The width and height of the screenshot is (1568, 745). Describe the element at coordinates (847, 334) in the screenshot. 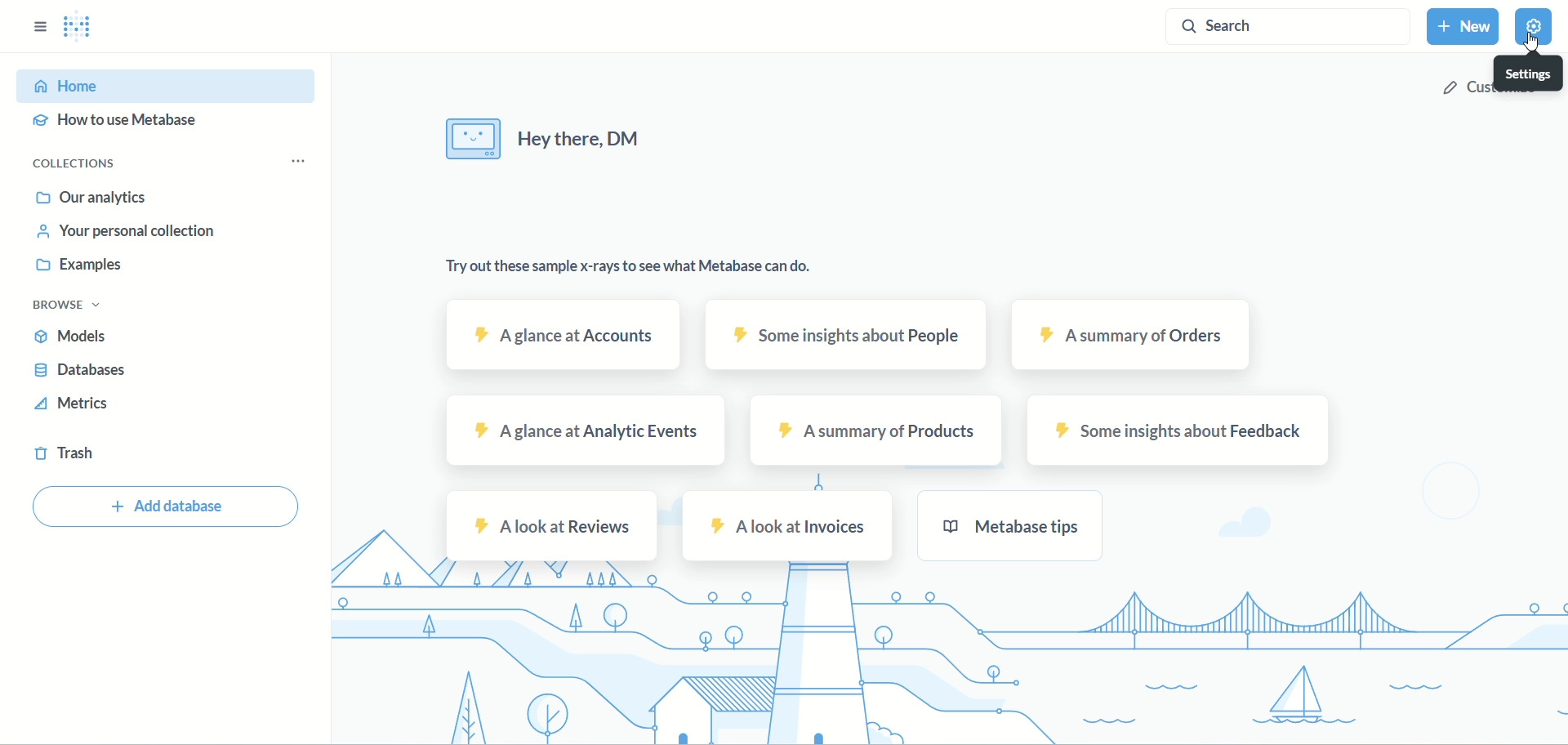

I see `people` at that location.